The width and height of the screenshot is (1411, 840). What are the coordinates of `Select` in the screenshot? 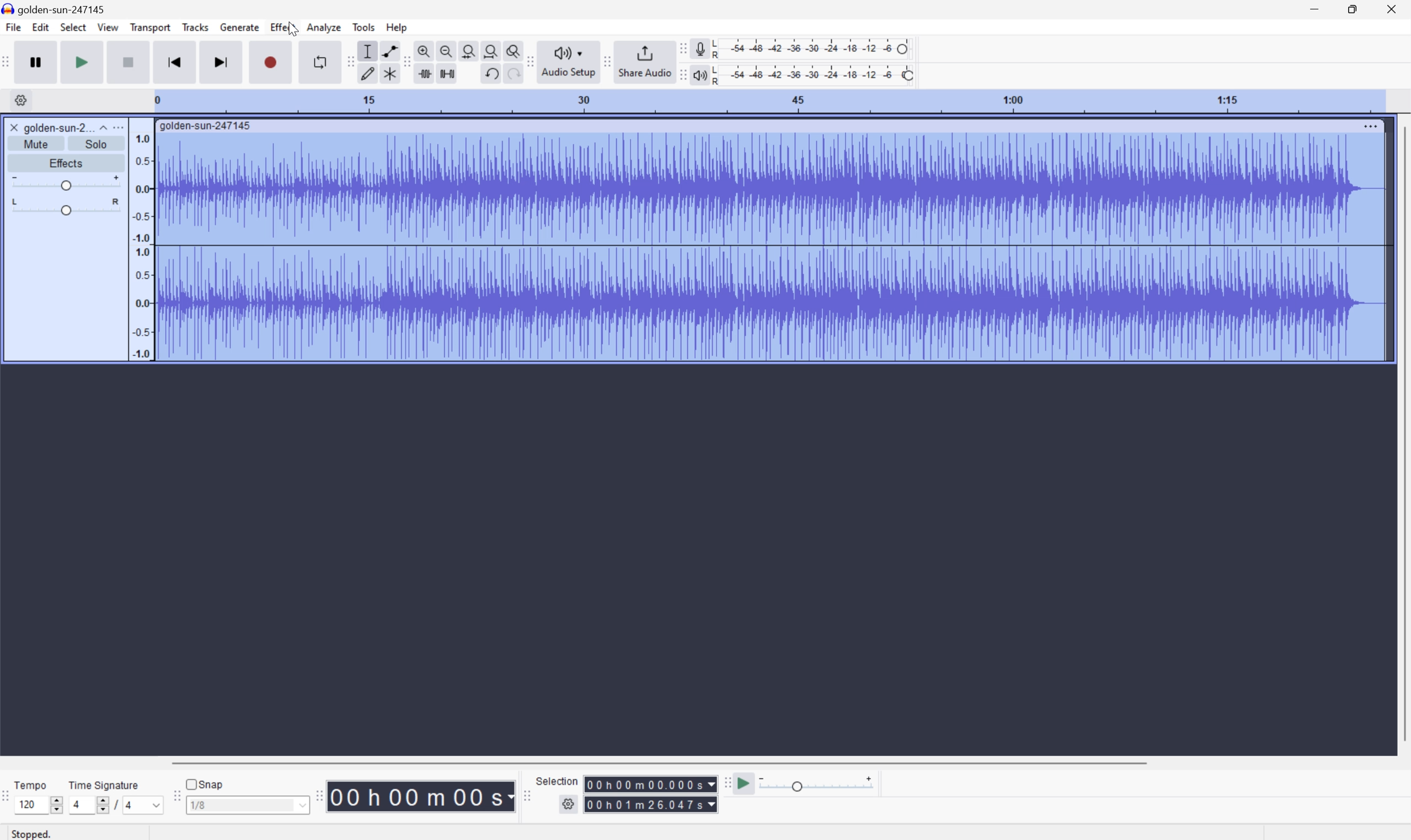 It's located at (72, 27).